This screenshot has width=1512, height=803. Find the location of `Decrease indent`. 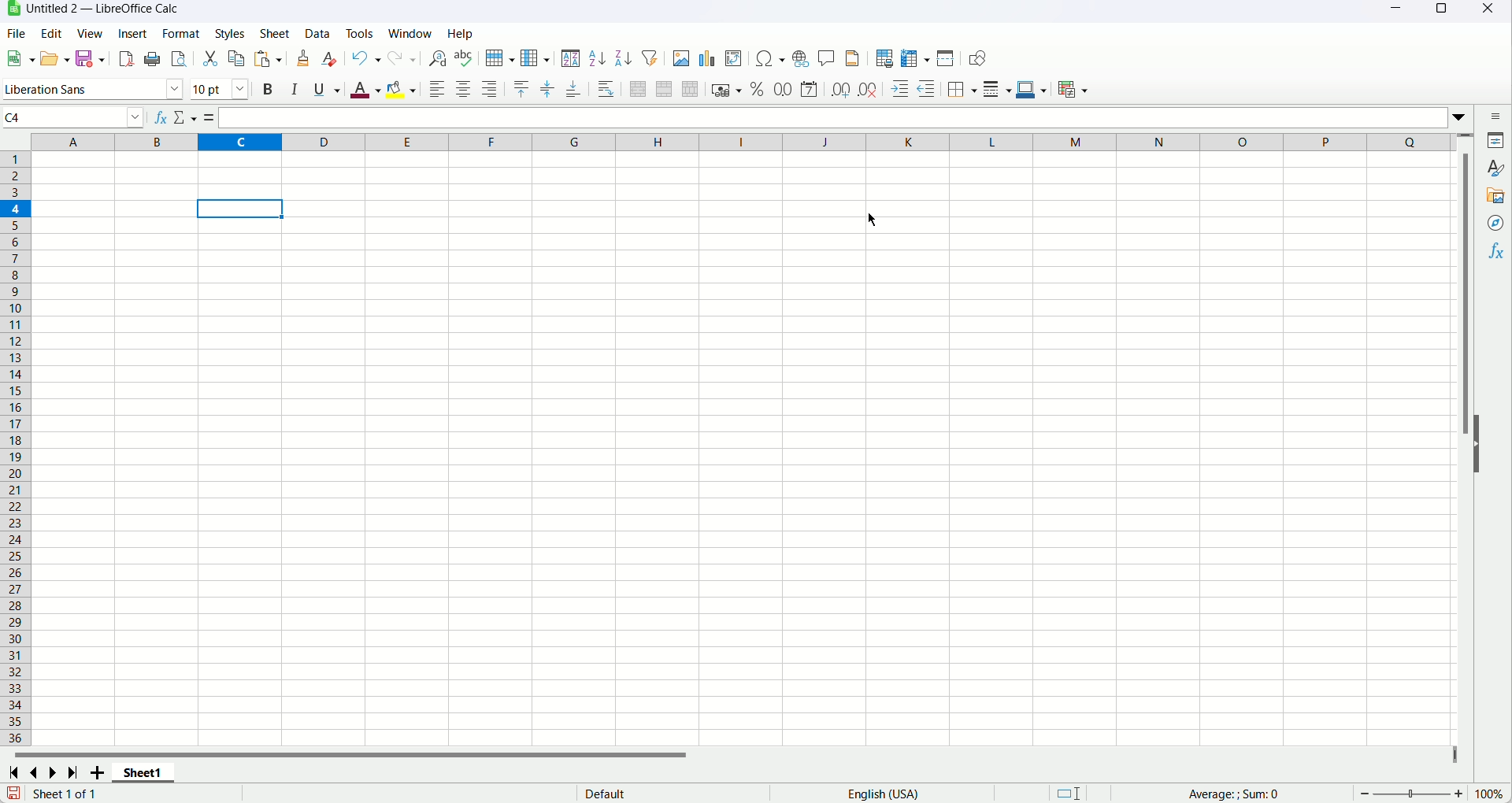

Decrease indent is located at coordinates (927, 89).